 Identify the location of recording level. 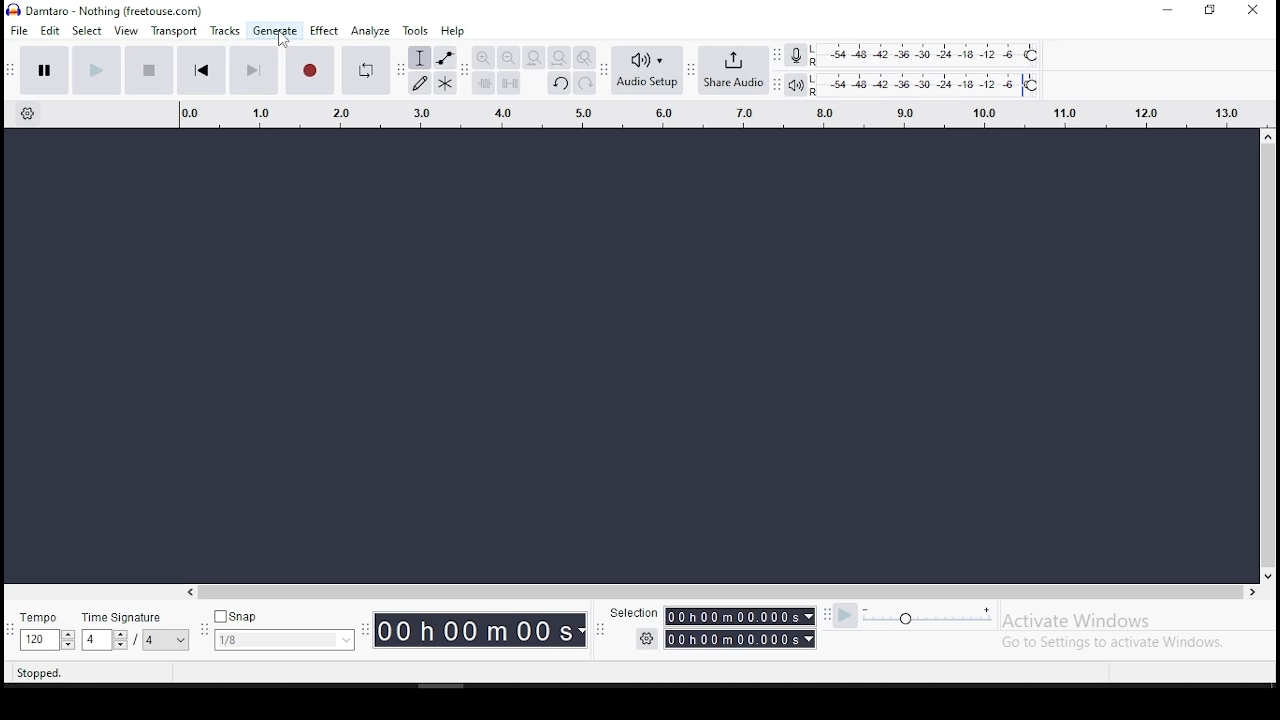
(932, 55).